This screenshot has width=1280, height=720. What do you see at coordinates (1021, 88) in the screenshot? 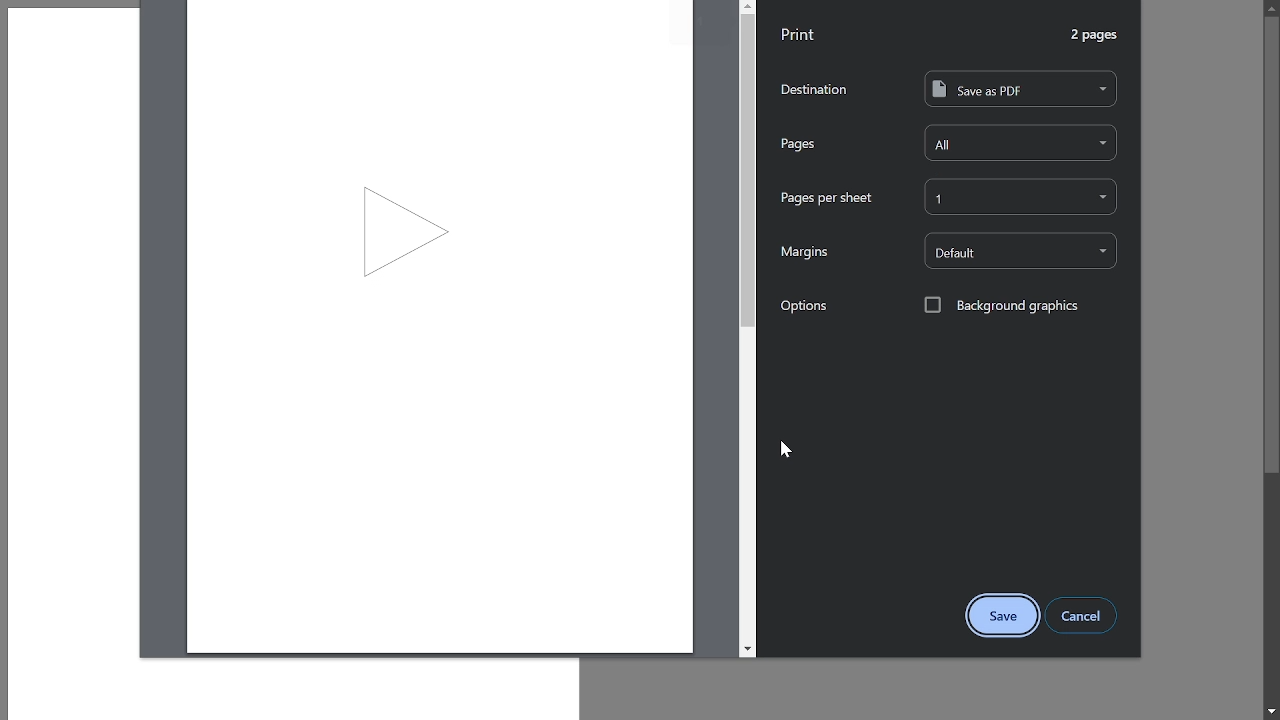
I see `Destination options` at bounding box center [1021, 88].